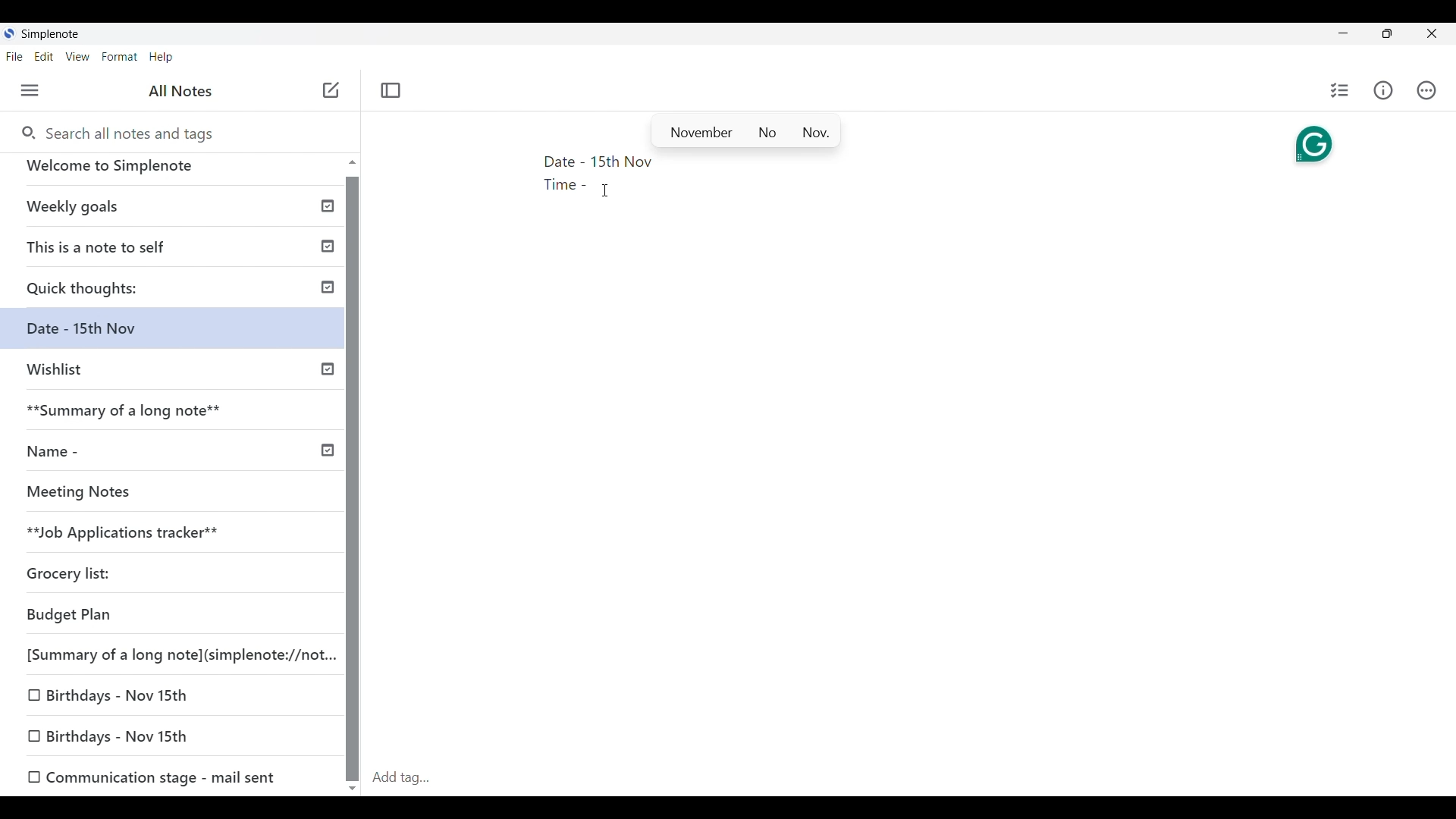 This screenshot has height=819, width=1456. Describe the element at coordinates (745, 130) in the screenshot. I see `Word suggestions for text typed in` at that location.